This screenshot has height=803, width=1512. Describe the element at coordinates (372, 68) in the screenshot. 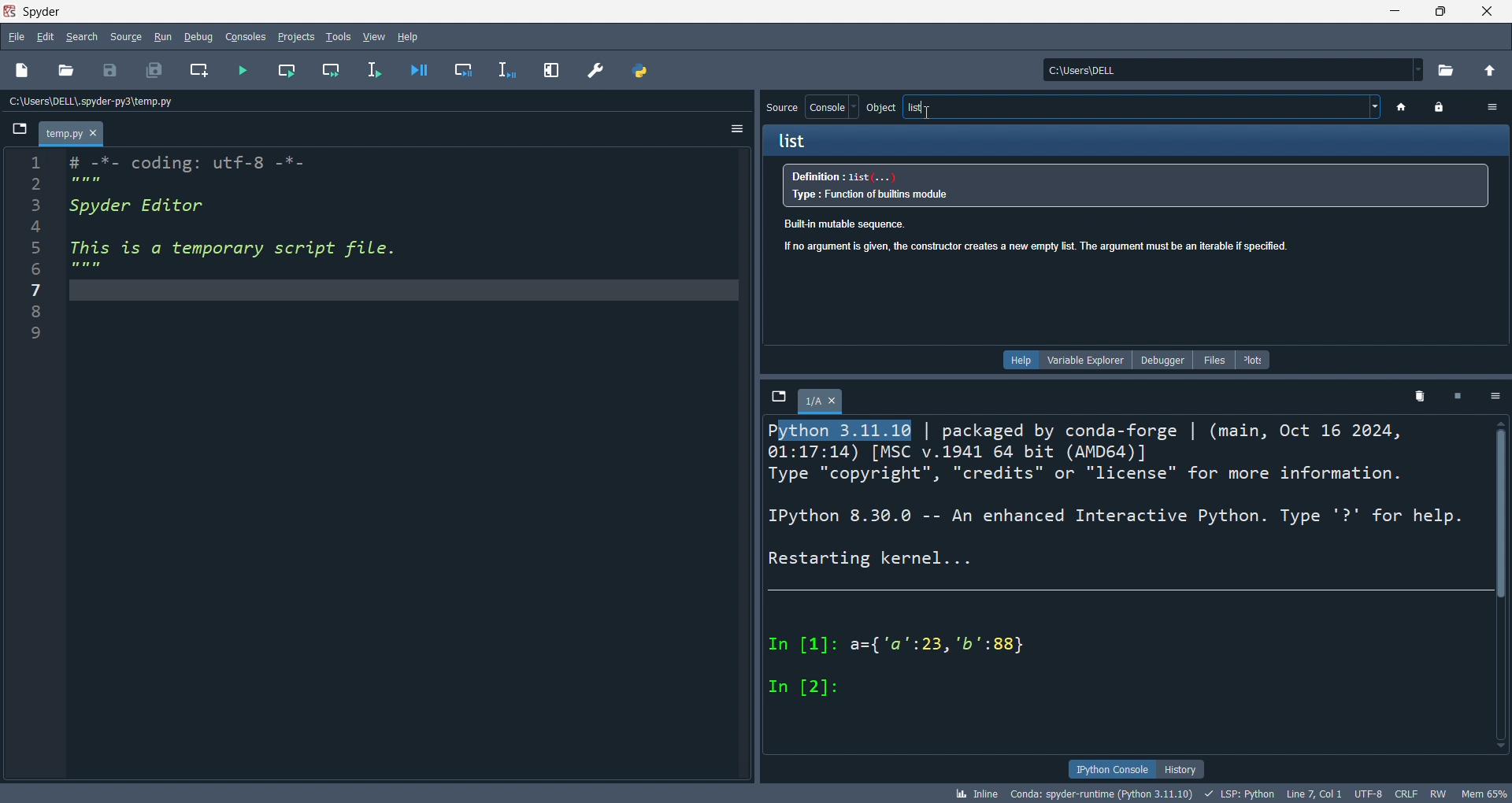

I see `runline` at that location.